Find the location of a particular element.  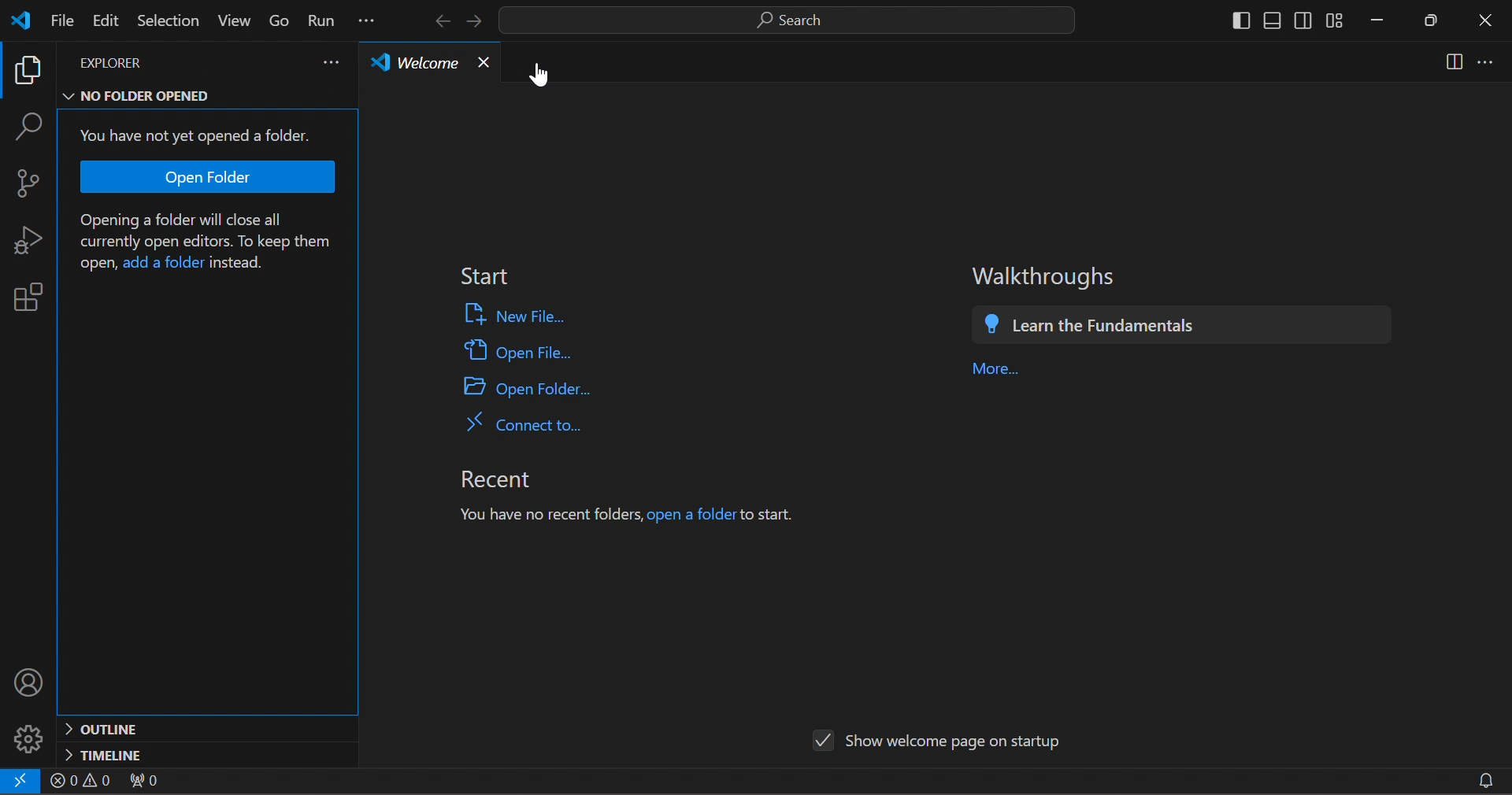

bug is located at coordinates (32, 244).